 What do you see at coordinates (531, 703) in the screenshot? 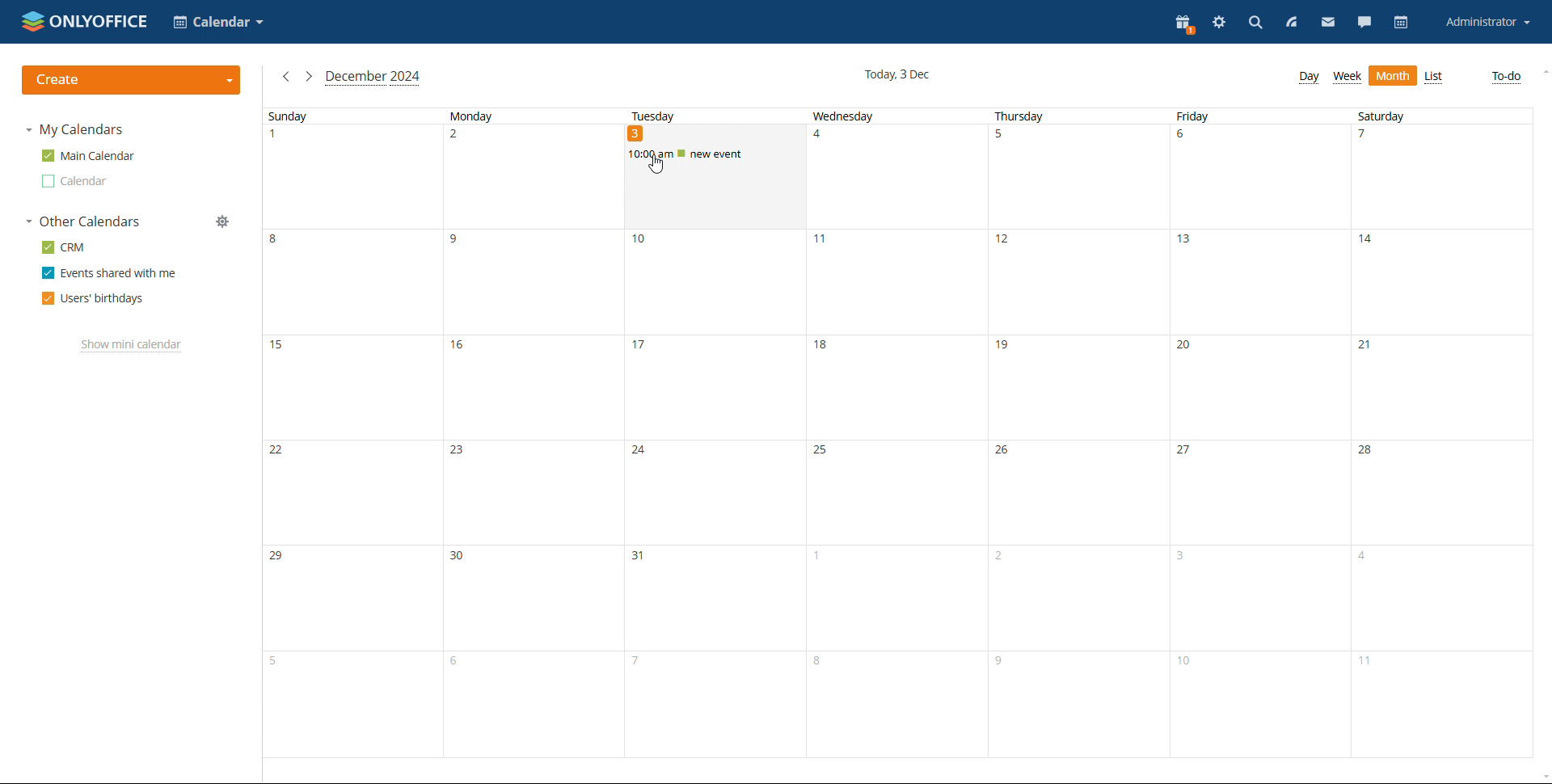
I see `6` at bounding box center [531, 703].